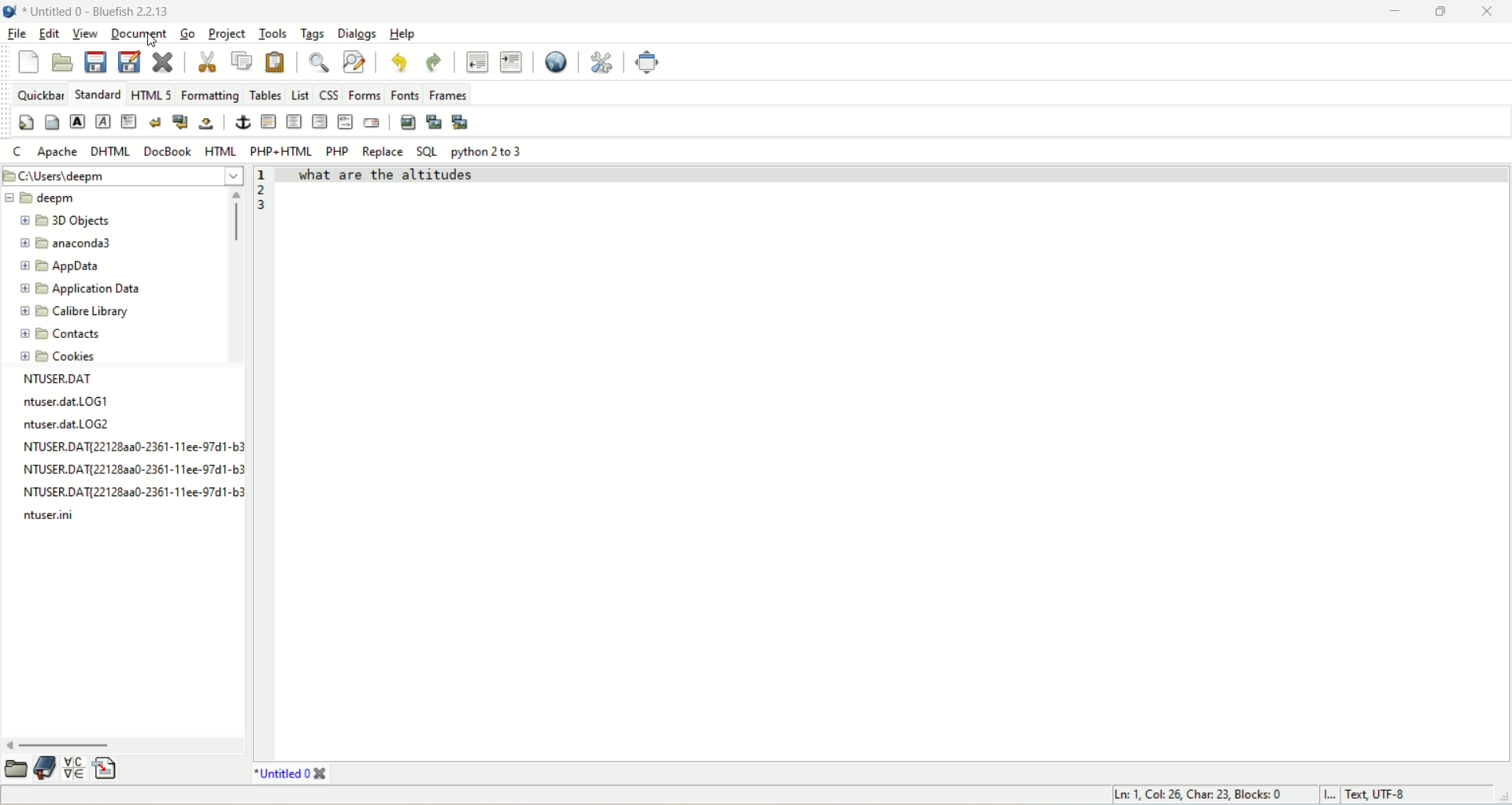  Describe the element at coordinates (84, 32) in the screenshot. I see `view` at that location.